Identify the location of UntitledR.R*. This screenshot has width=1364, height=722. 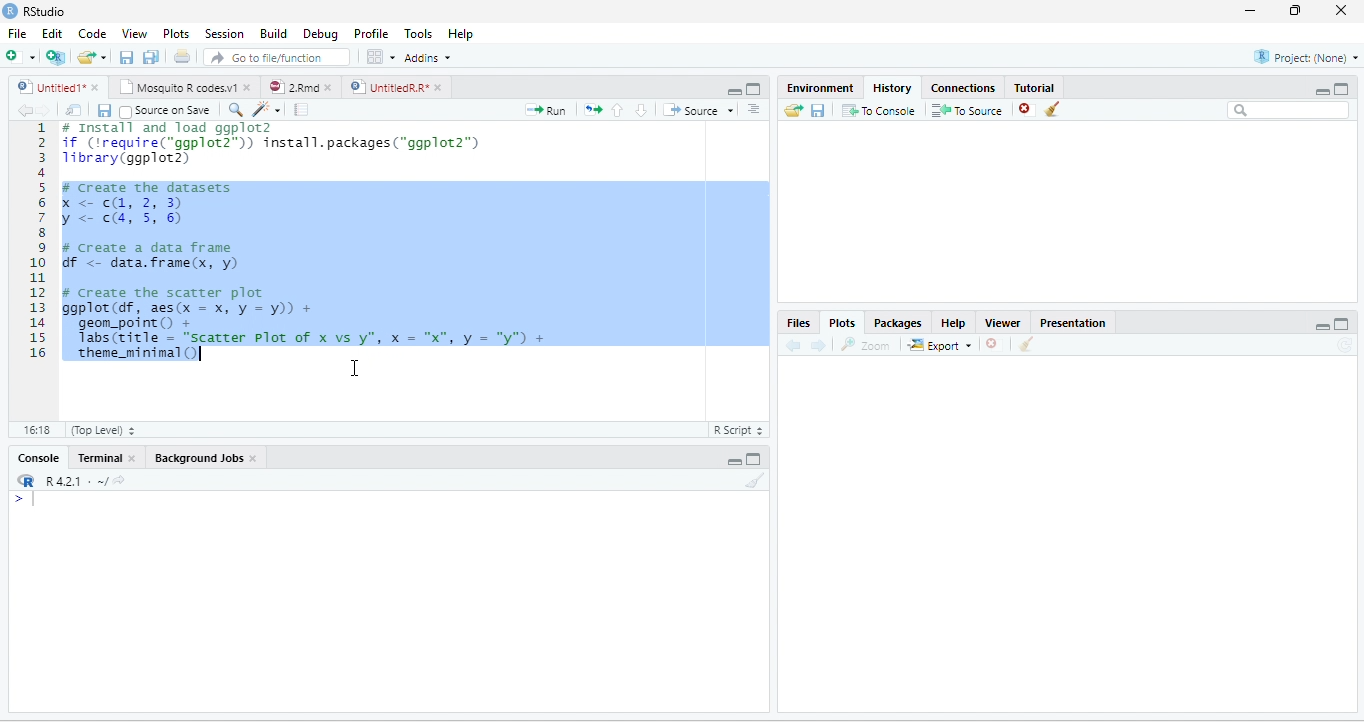
(387, 87).